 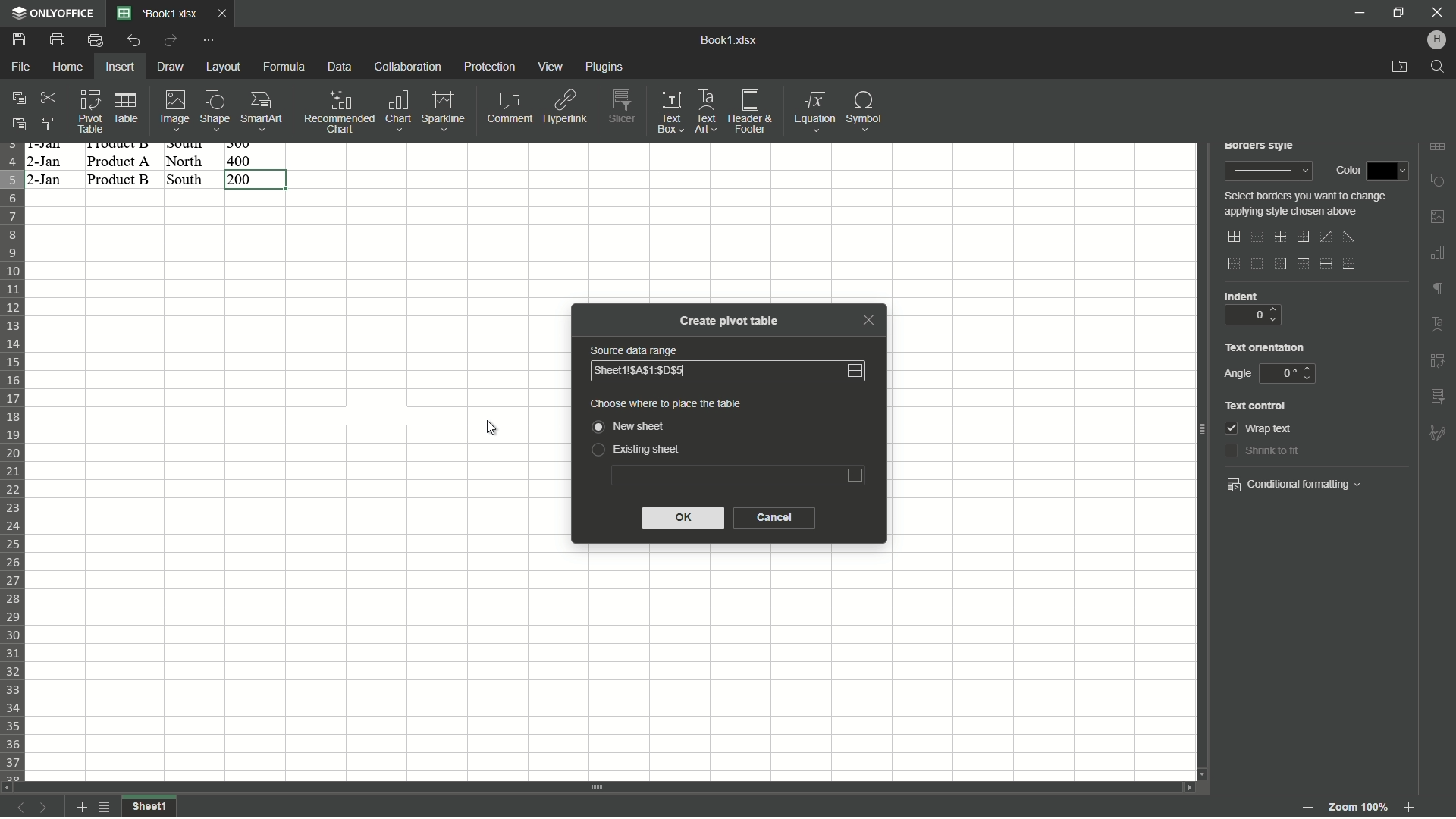 I want to click on hp, so click(x=1438, y=39).